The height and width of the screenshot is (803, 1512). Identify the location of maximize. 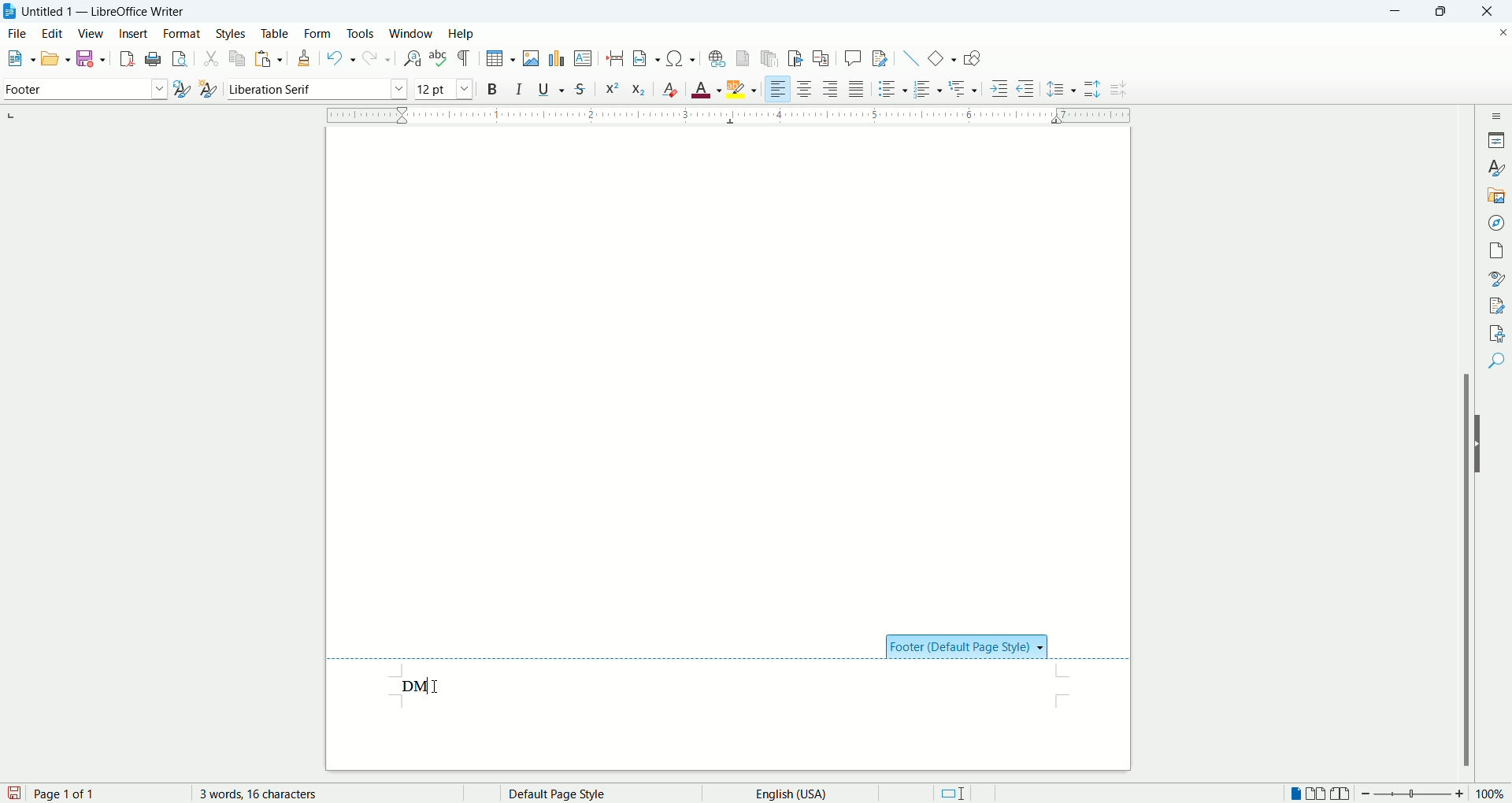
(1447, 13).